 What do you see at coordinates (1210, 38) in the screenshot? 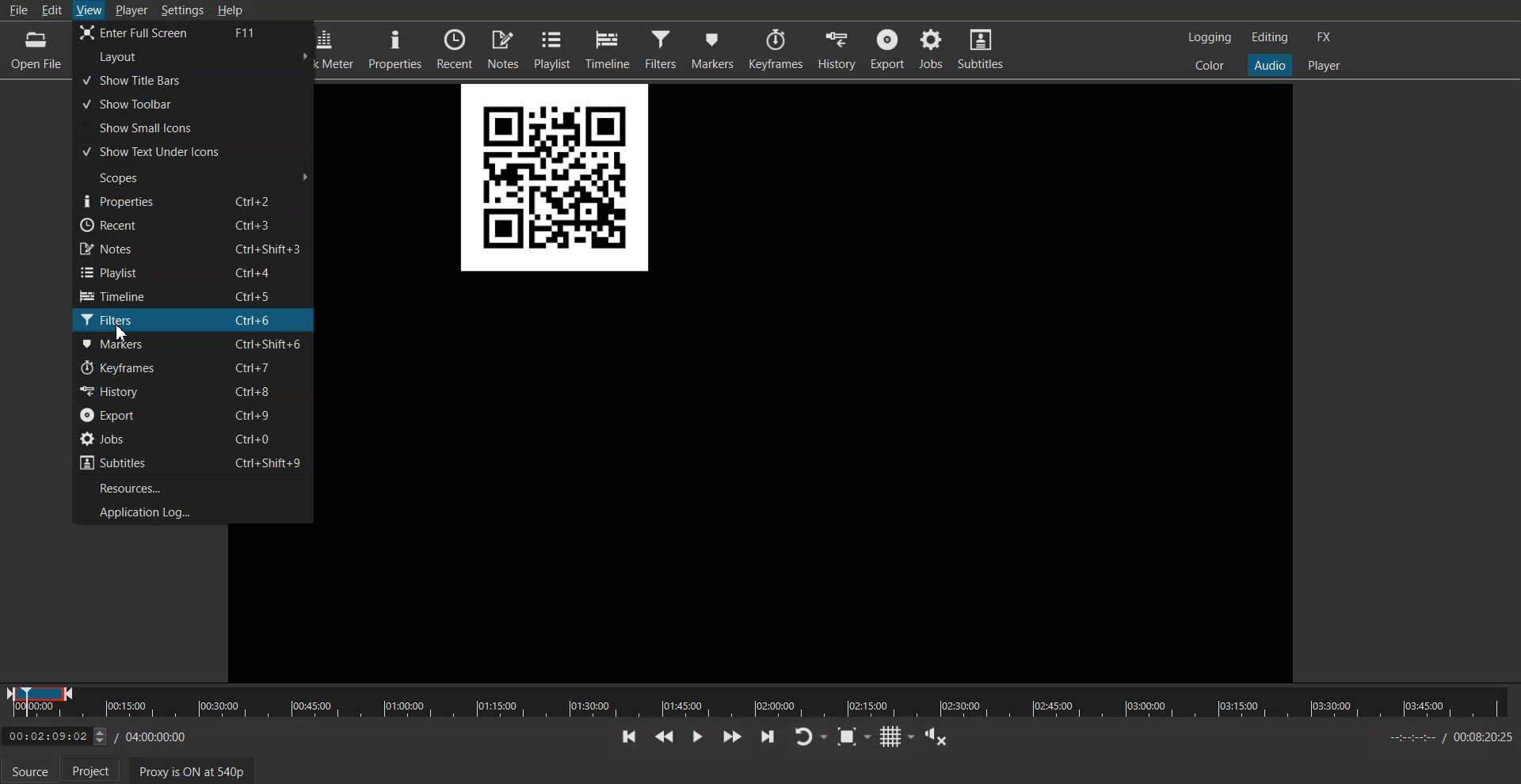
I see `Switch to the logging layout` at bounding box center [1210, 38].